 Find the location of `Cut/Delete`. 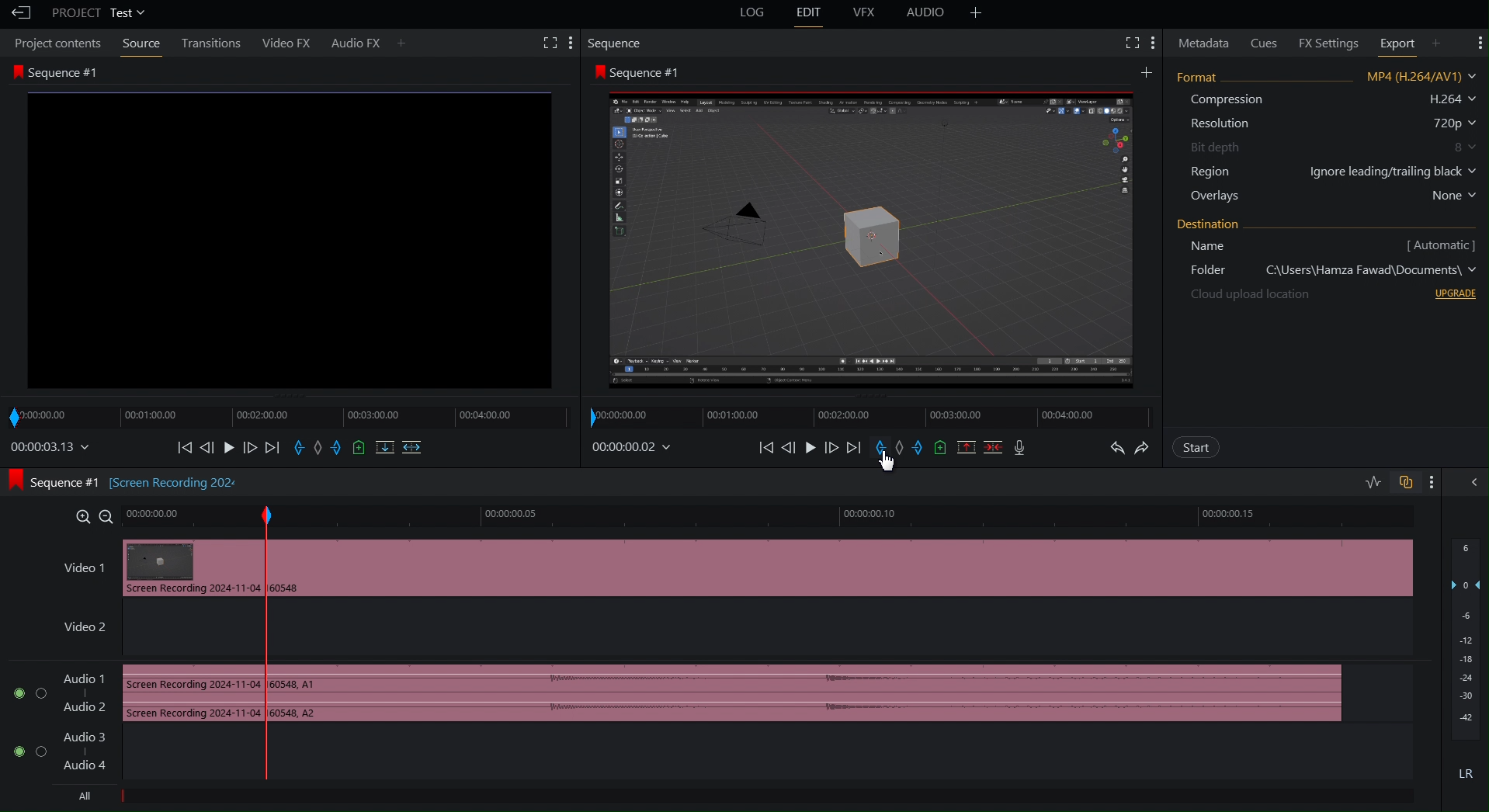

Cut/Delete is located at coordinates (994, 447).